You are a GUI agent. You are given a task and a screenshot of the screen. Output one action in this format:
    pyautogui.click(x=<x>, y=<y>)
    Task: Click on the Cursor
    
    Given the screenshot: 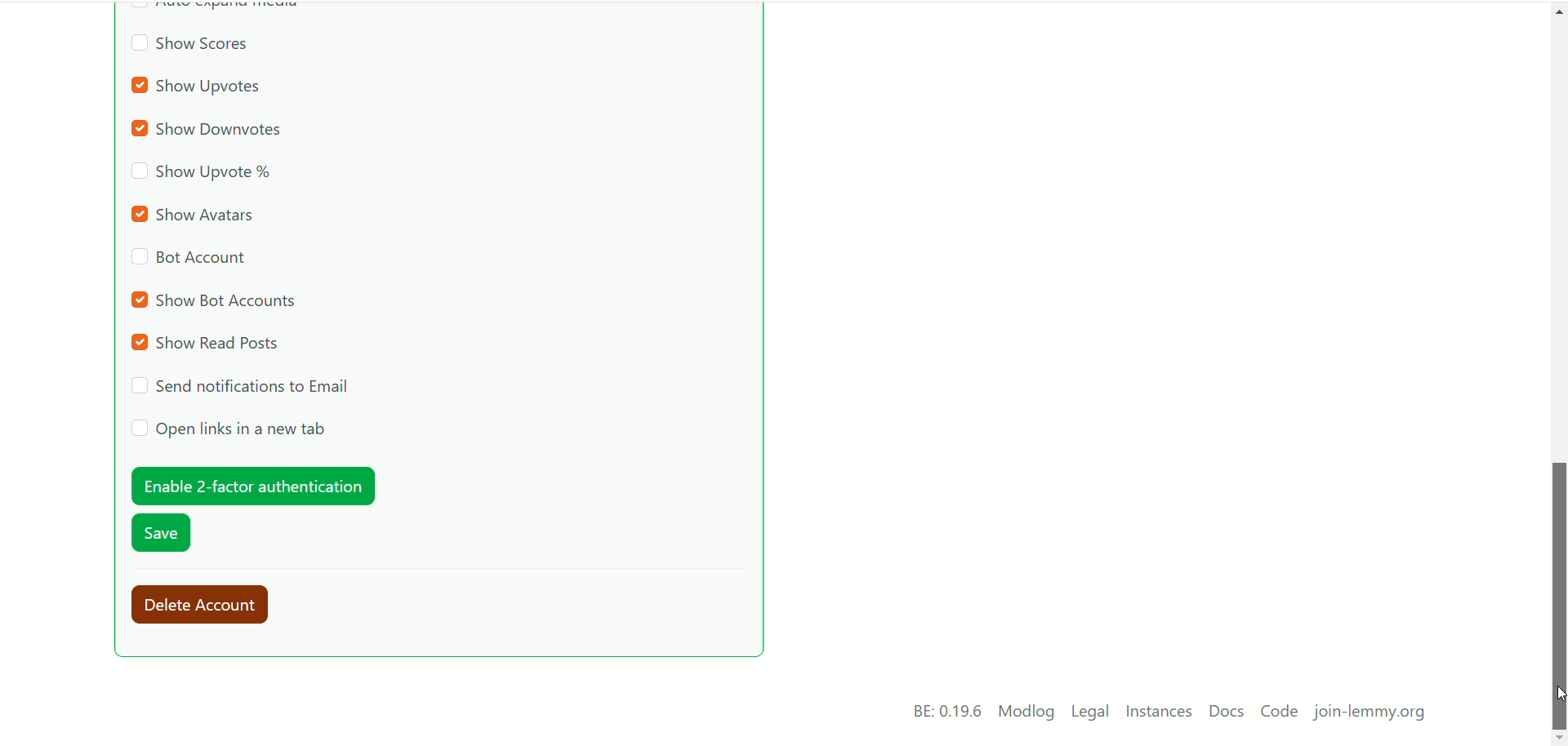 What is the action you would take?
    pyautogui.click(x=1558, y=693)
    